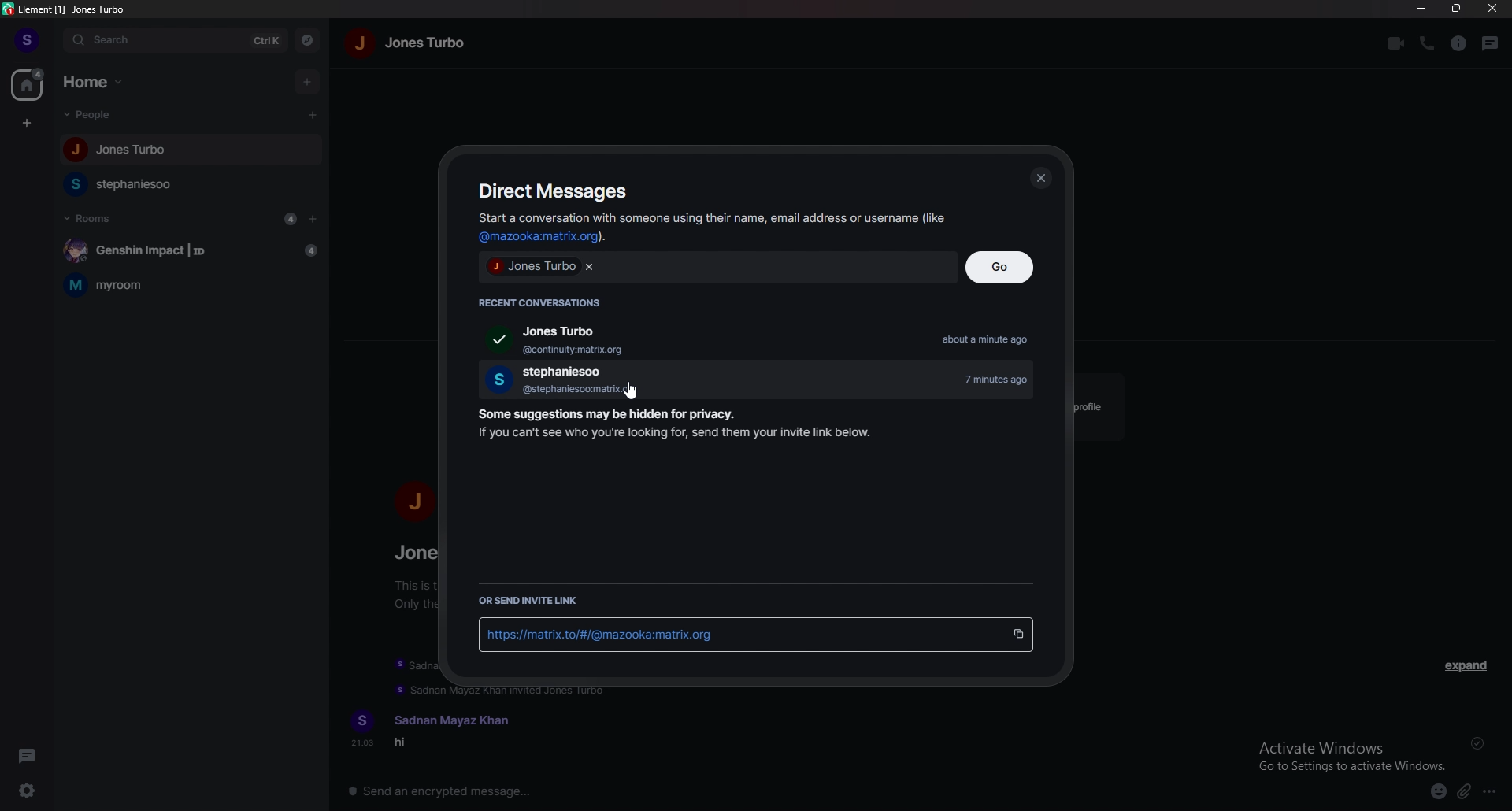 The height and width of the screenshot is (811, 1512). Describe the element at coordinates (1468, 668) in the screenshot. I see `expand` at that location.